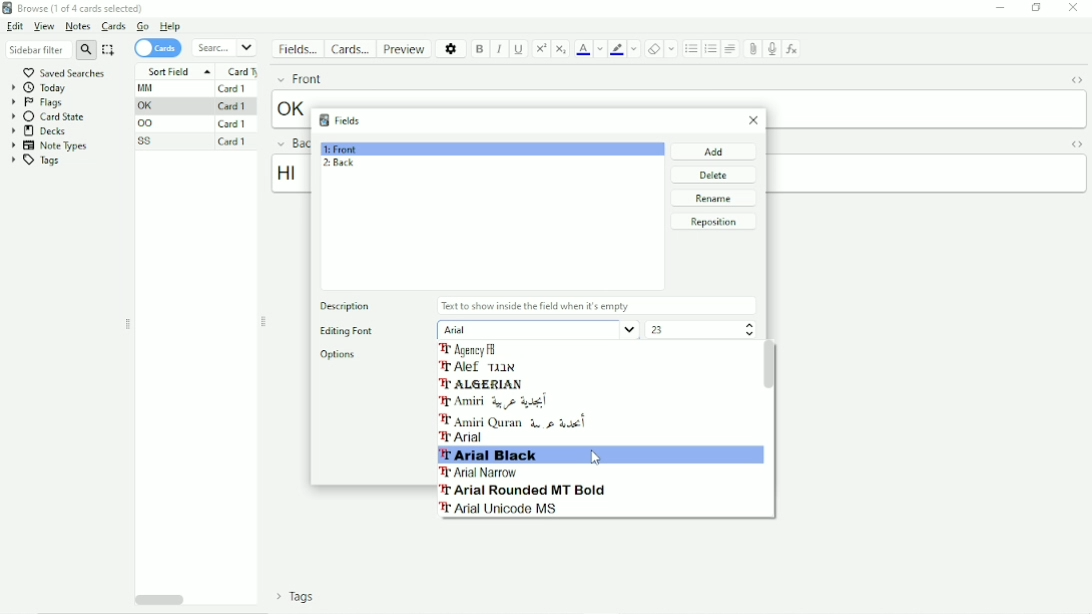 Image resolution: width=1092 pixels, height=614 pixels. Describe the element at coordinates (341, 119) in the screenshot. I see `Fields` at that location.